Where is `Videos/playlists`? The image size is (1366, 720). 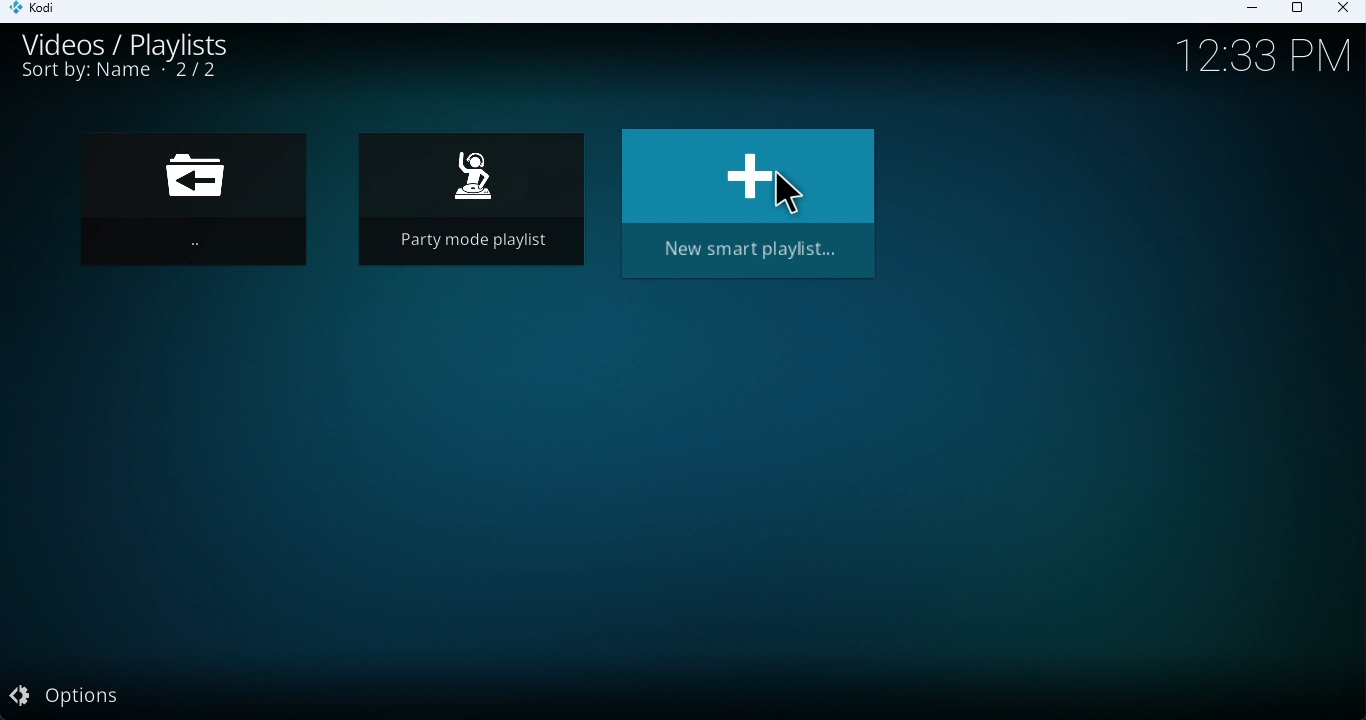
Videos/playlists is located at coordinates (145, 43).